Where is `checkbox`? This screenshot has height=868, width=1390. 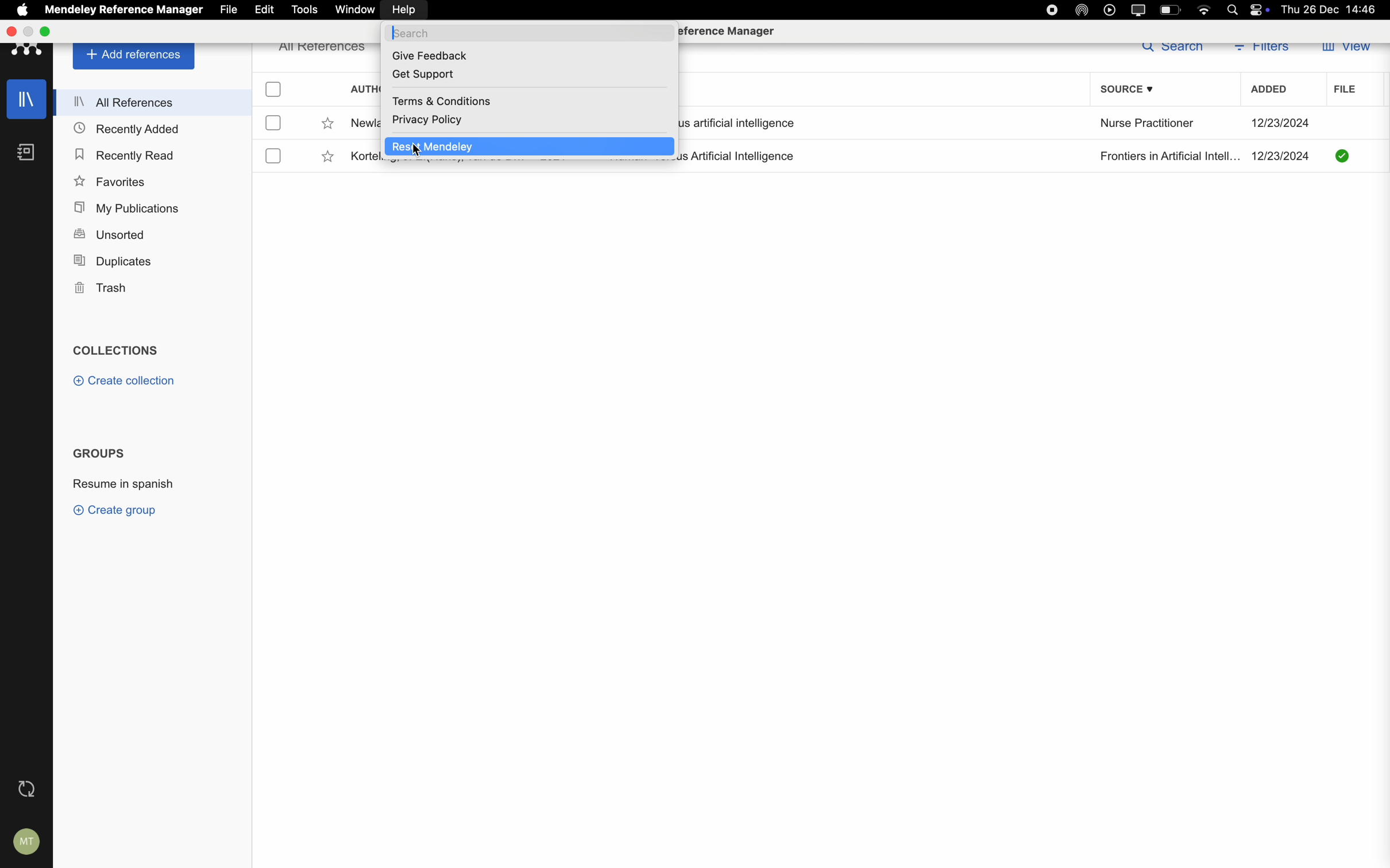 checkbox is located at coordinates (275, 156).